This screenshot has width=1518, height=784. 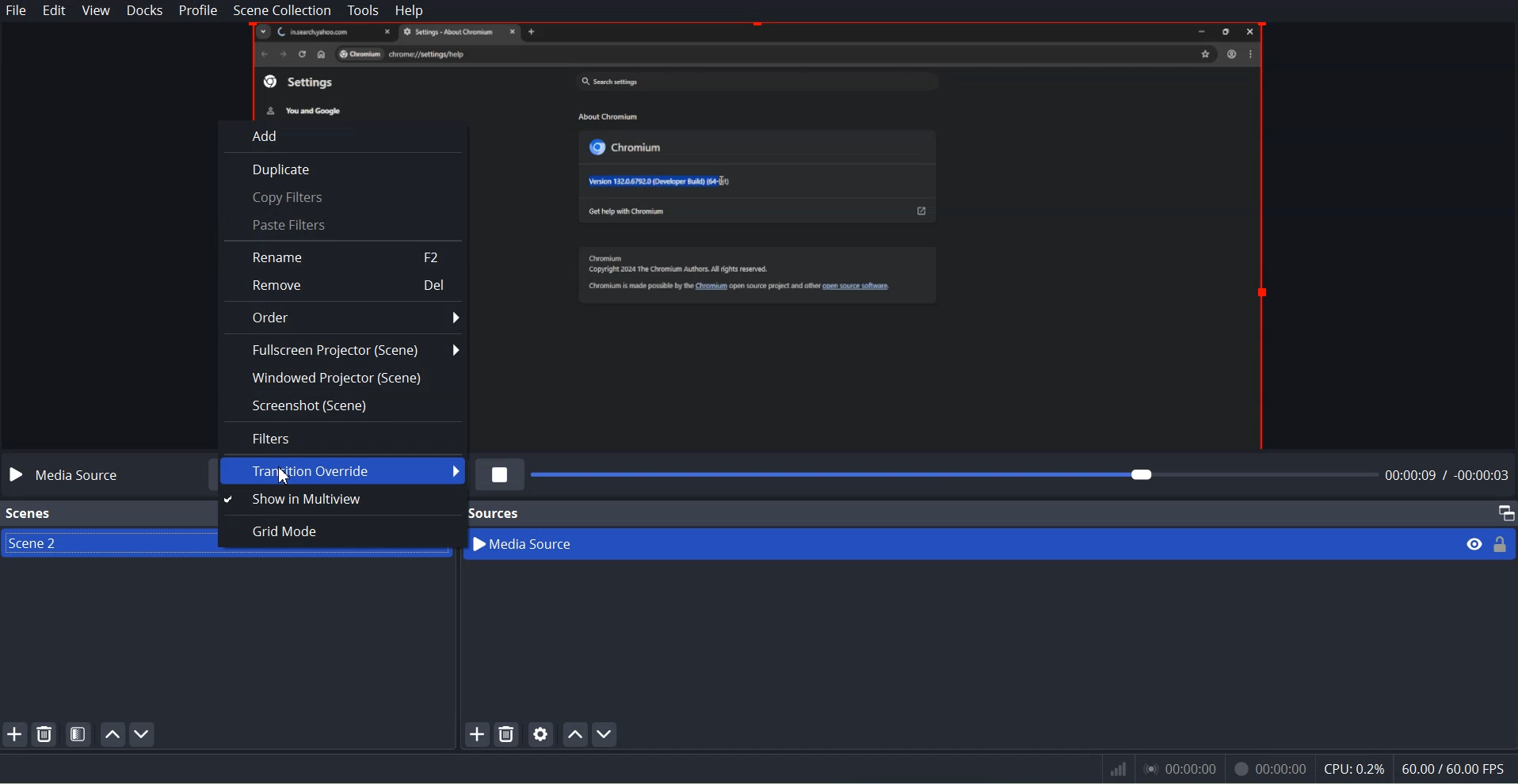 What do you see at coordinates (507, 734) in the screenshot?
I see `Remove Selected Source` at bounding box center [507, 734].